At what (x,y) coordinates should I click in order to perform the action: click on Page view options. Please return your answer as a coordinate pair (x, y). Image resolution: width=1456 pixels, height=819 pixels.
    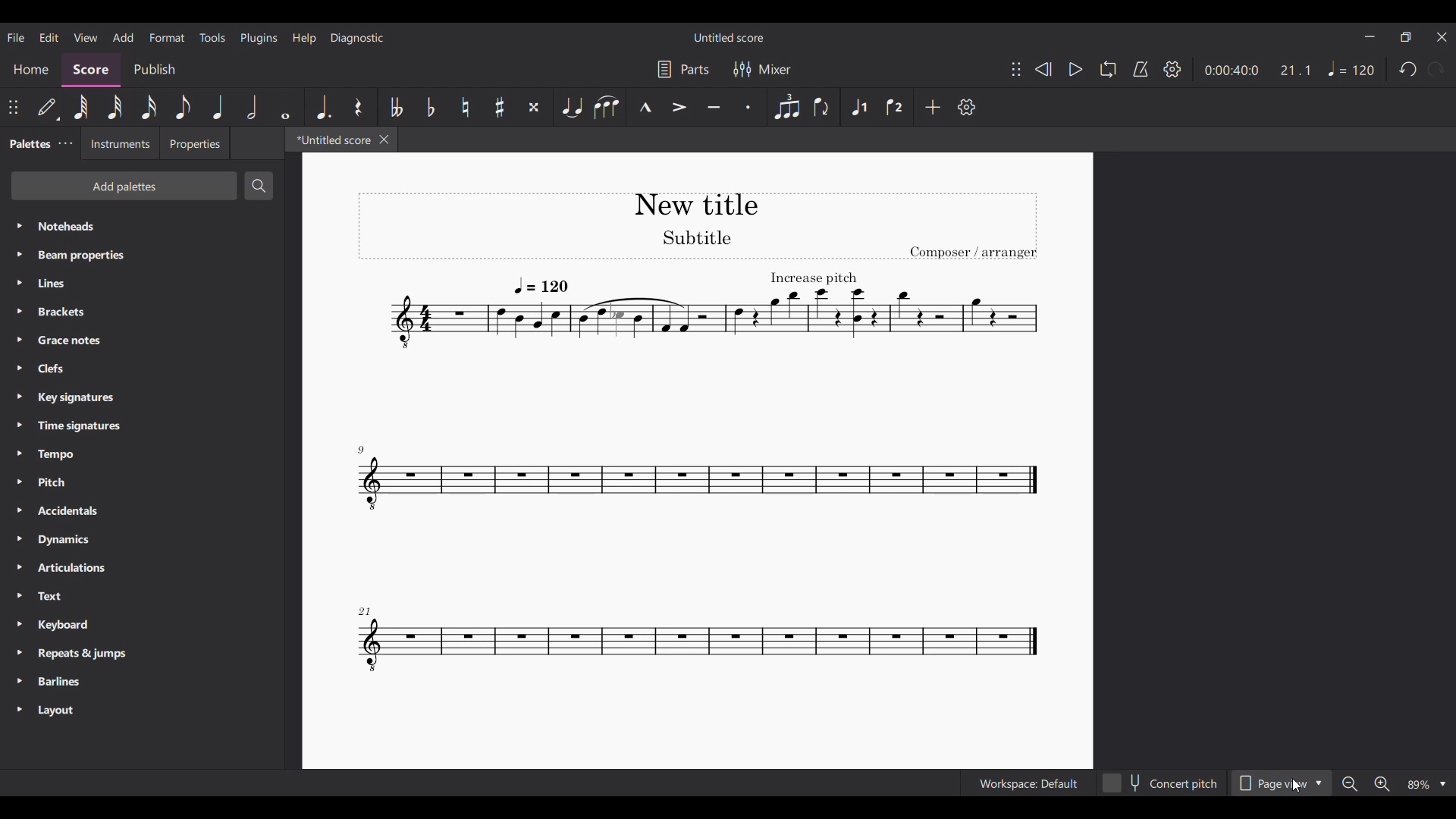
    Looking at the image, I should click on (1282, 783).